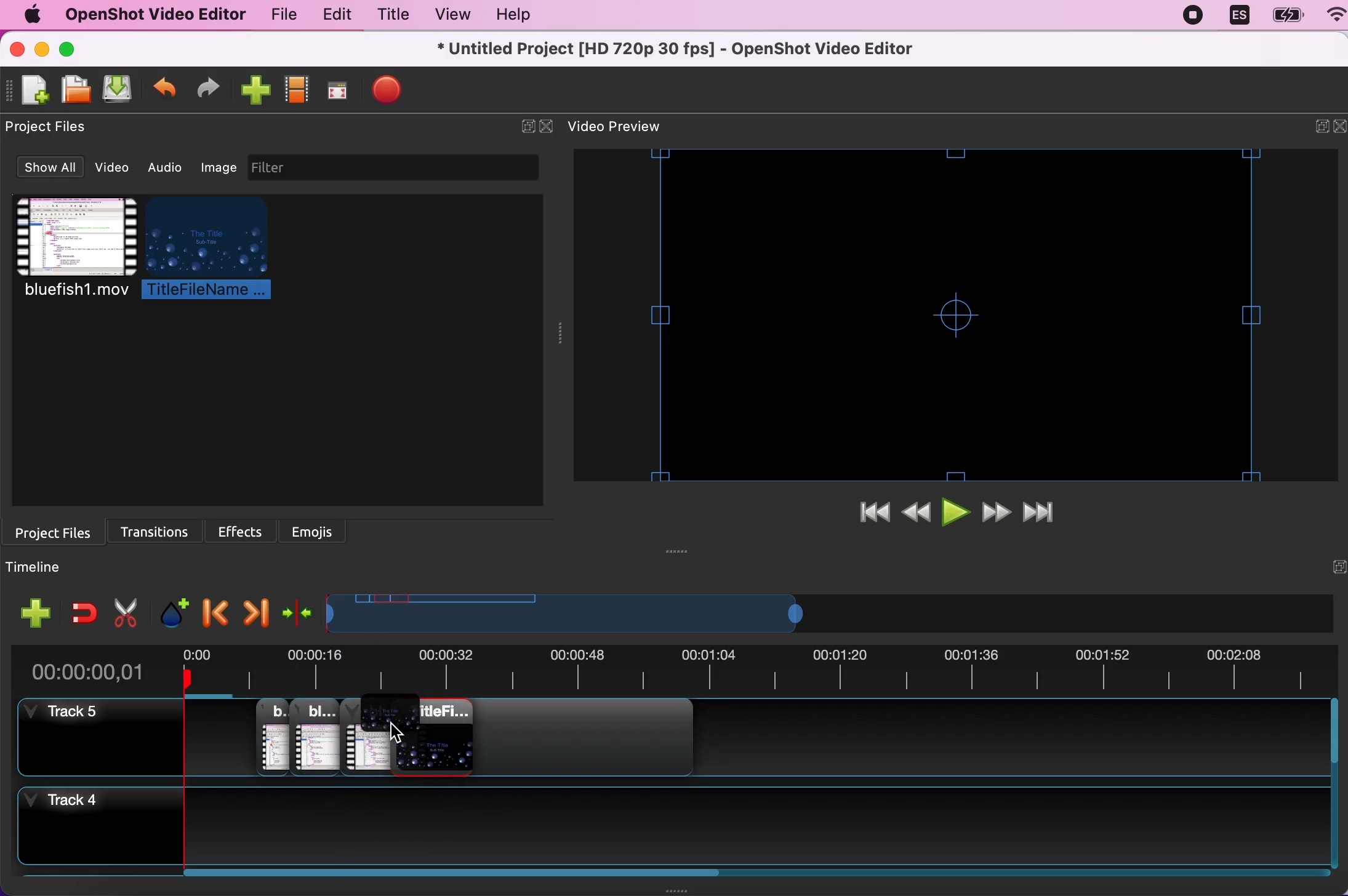 The width and height of the screenshot is (1348, 896). I want to click on openshot video editor, so click(149, 14).